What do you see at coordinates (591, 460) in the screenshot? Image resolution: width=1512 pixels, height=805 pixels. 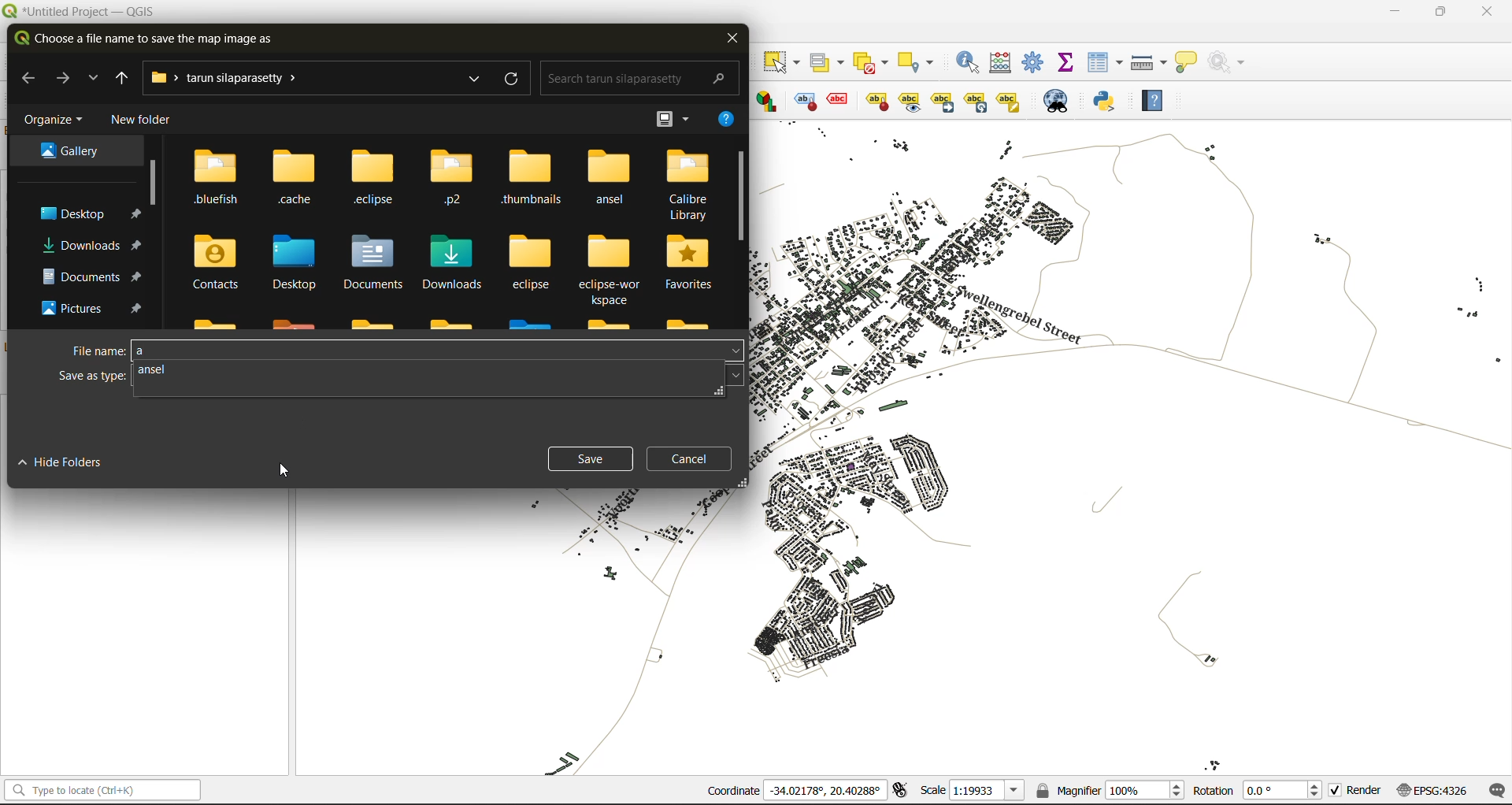 I see `save` at bounding box center [591, 460].